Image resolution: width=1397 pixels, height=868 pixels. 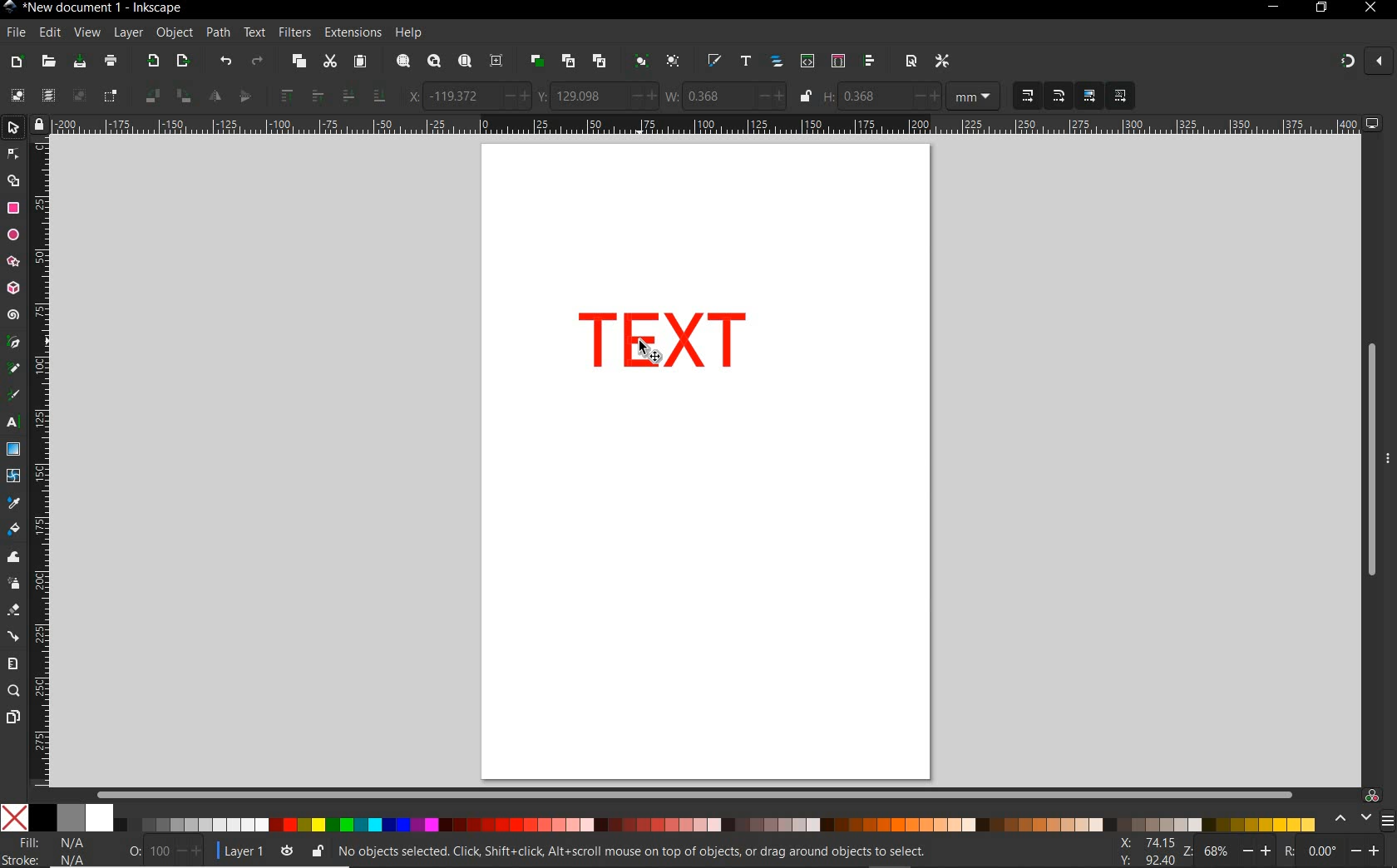 I want to click on OPEN XML EDITOR, so click(x=807, y=62).